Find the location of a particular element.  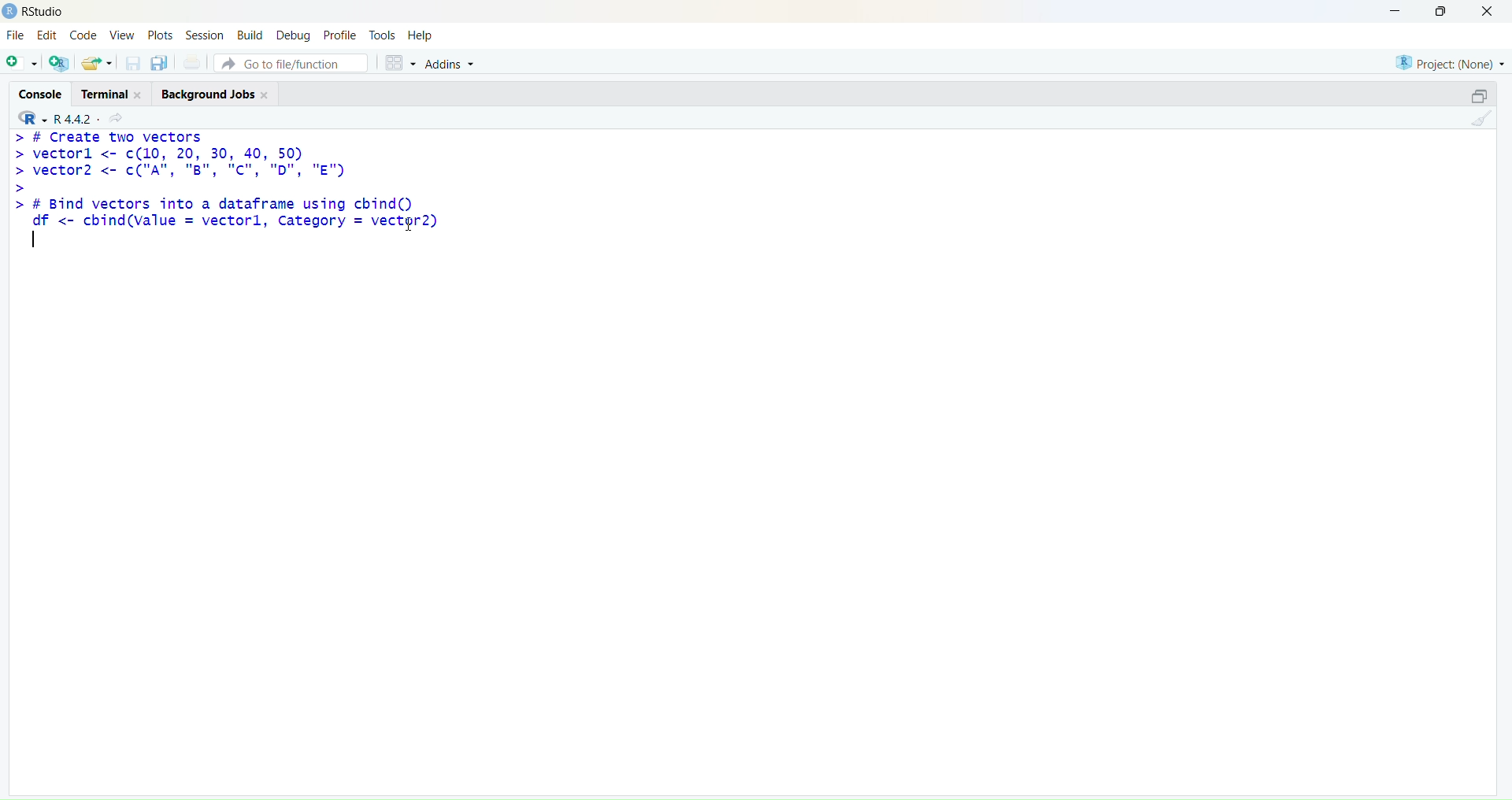

cursor is located at coordinates (409, 224).